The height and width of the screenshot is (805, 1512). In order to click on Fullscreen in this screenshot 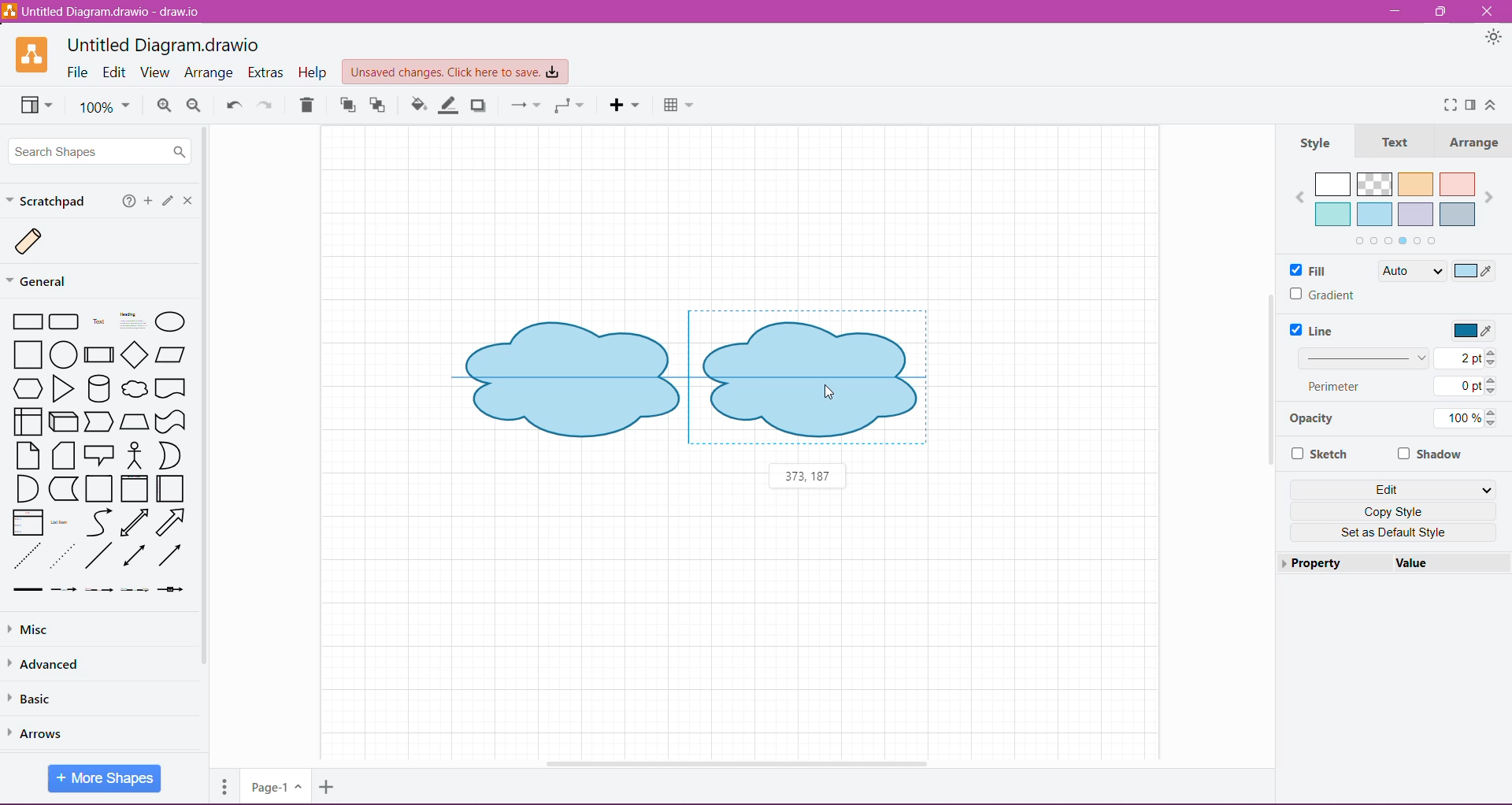, I will do `click(1447, 106)`.